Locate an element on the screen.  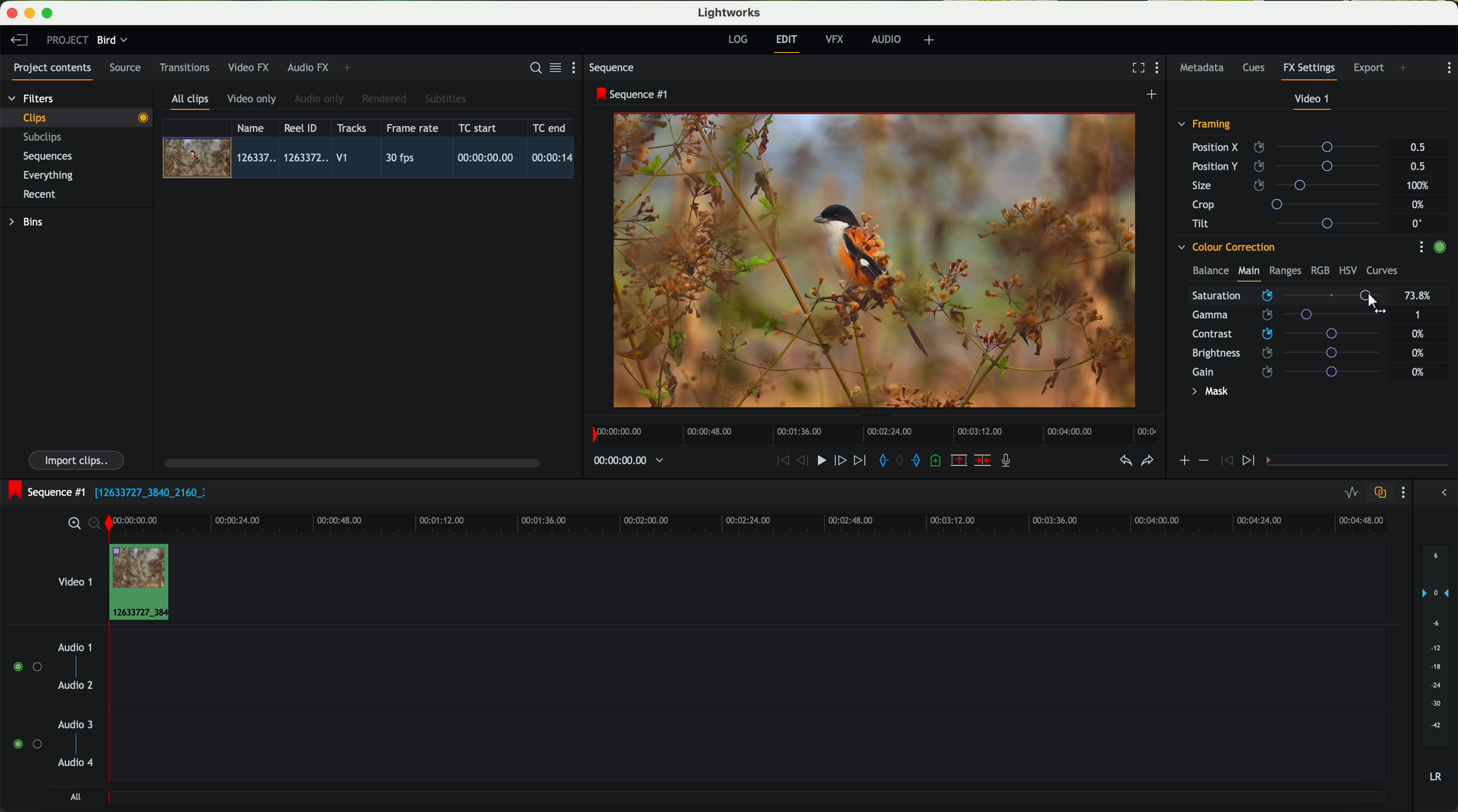
sequences is located at coordinates (48, 157).